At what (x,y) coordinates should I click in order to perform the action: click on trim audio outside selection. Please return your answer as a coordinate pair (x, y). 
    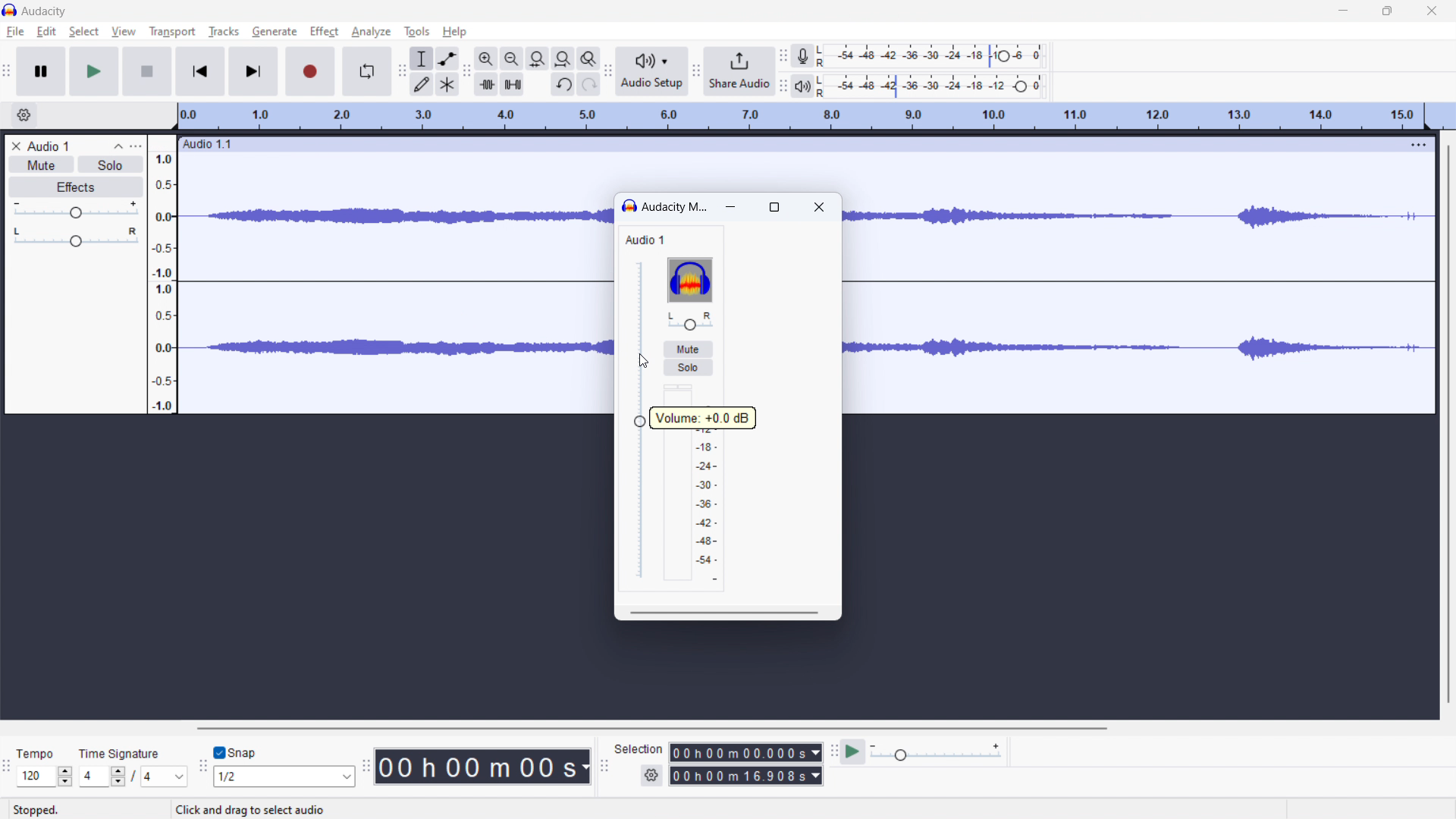
    Looking at the image, I should click on (486, 84).